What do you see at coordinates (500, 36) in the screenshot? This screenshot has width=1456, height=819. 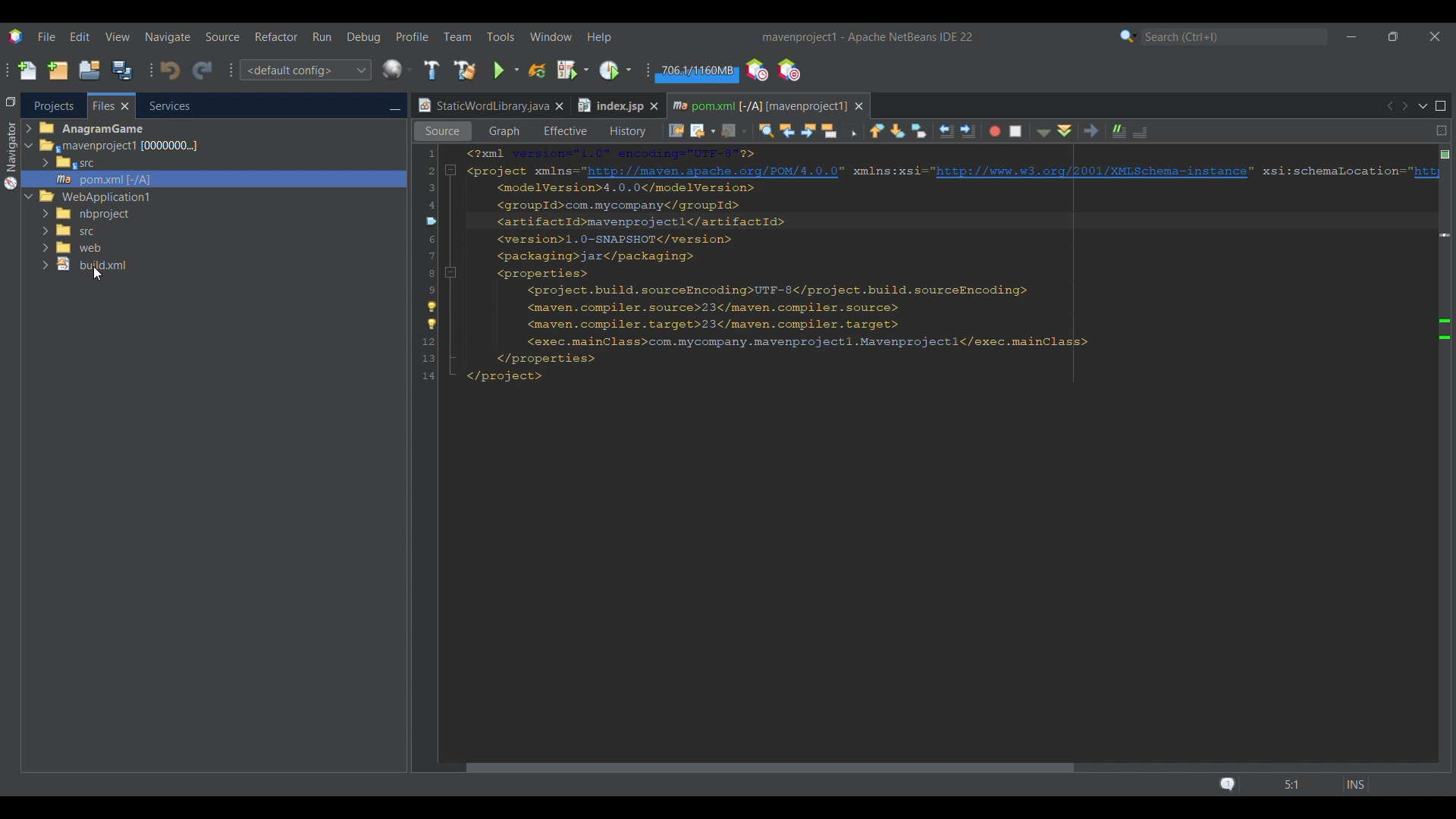 I see `Tools menu` at bounding box center [500, 36].